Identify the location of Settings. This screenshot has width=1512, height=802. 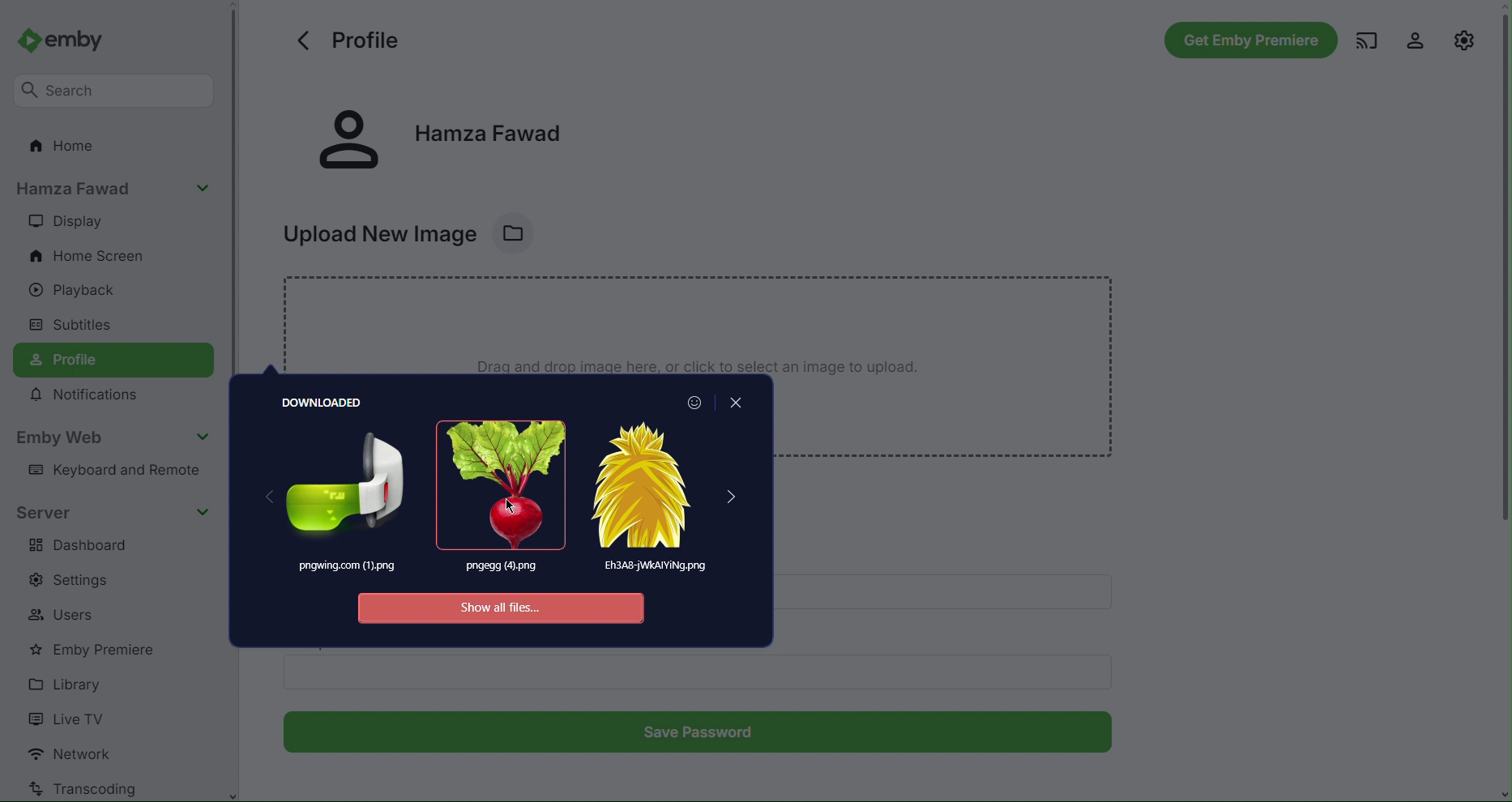
(78, 580).